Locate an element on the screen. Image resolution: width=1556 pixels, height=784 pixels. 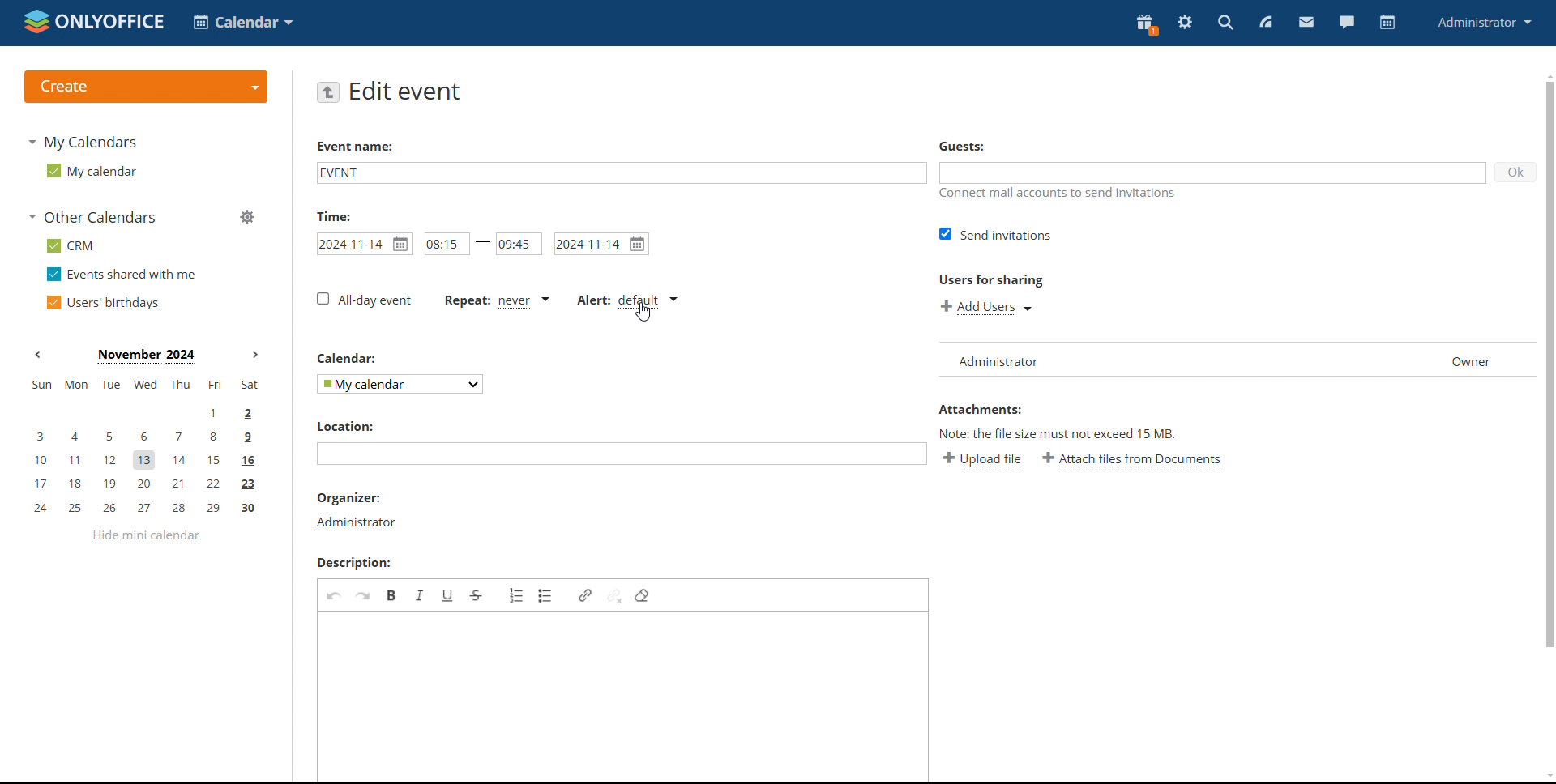
previous month is located at coordinates (38, 354).